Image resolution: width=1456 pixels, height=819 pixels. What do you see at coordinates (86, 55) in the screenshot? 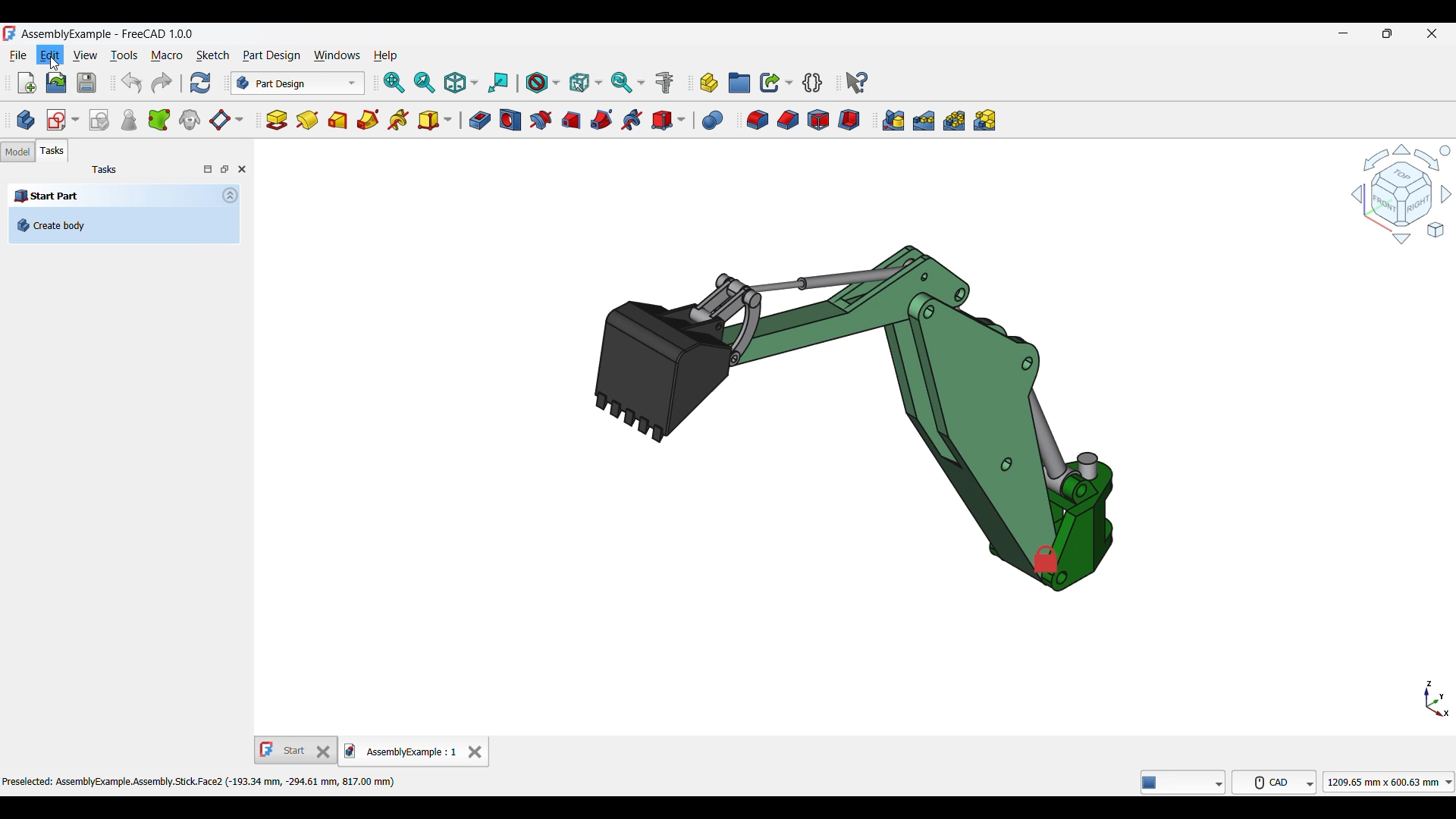
I see `View menu` at bounding box center [86, 55].